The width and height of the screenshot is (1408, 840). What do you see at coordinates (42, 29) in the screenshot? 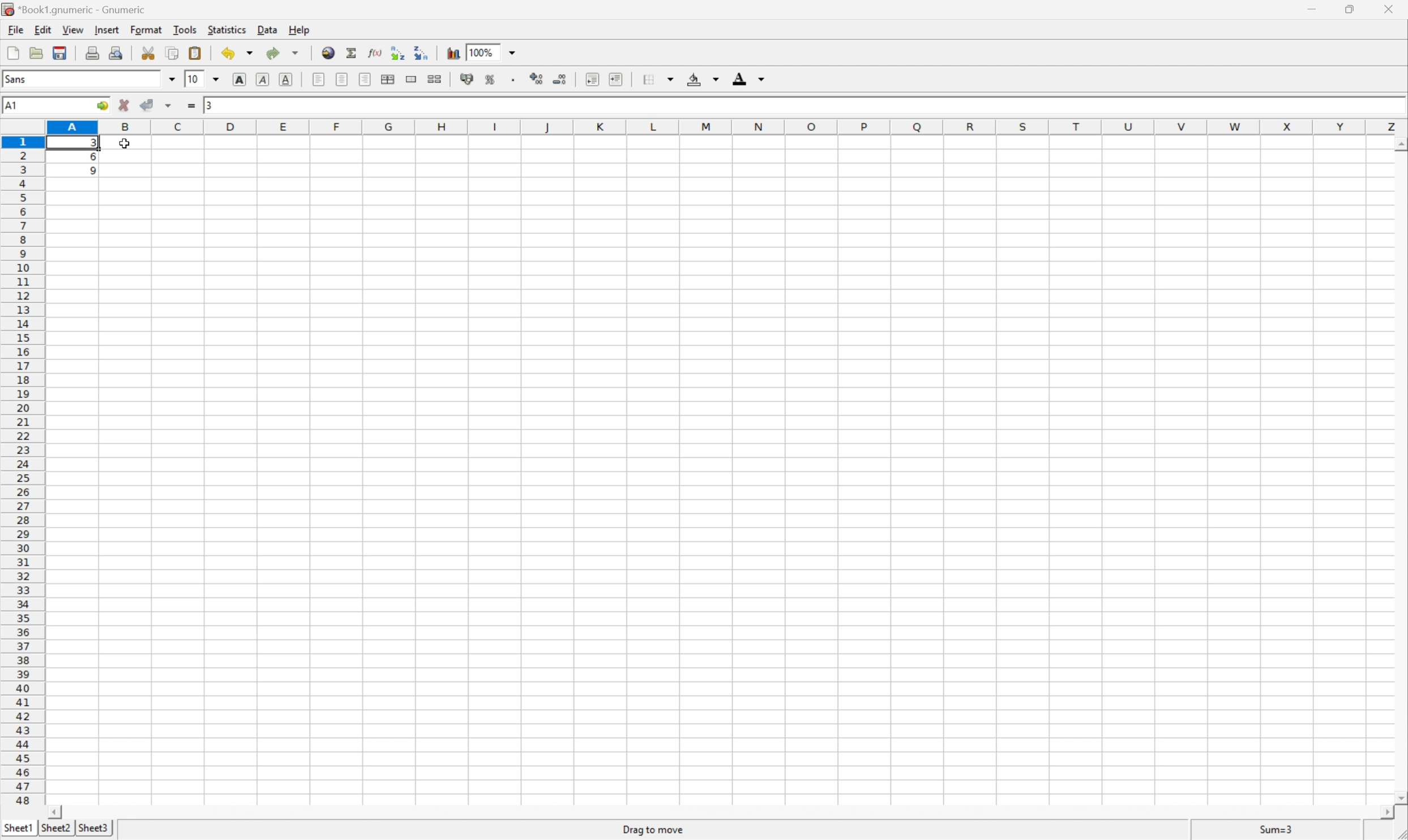
I see `Edit` at bounding box center [42, 29].